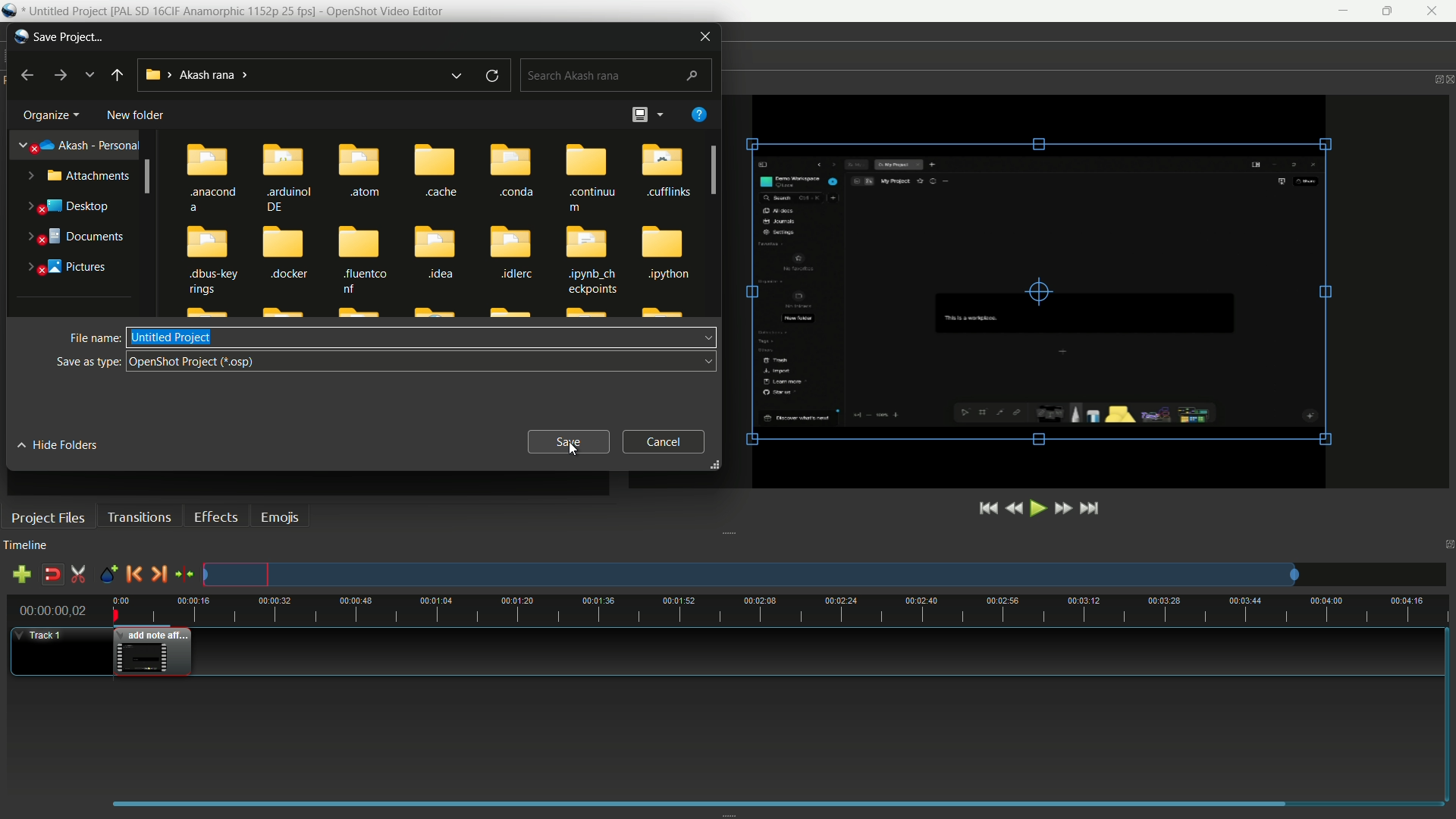 The width and height of the screenshot is (1456, 819). What do you see at coordinates (1344, 11) in the screenshot?
I see `minimize` at bounding box center [1344, 11].